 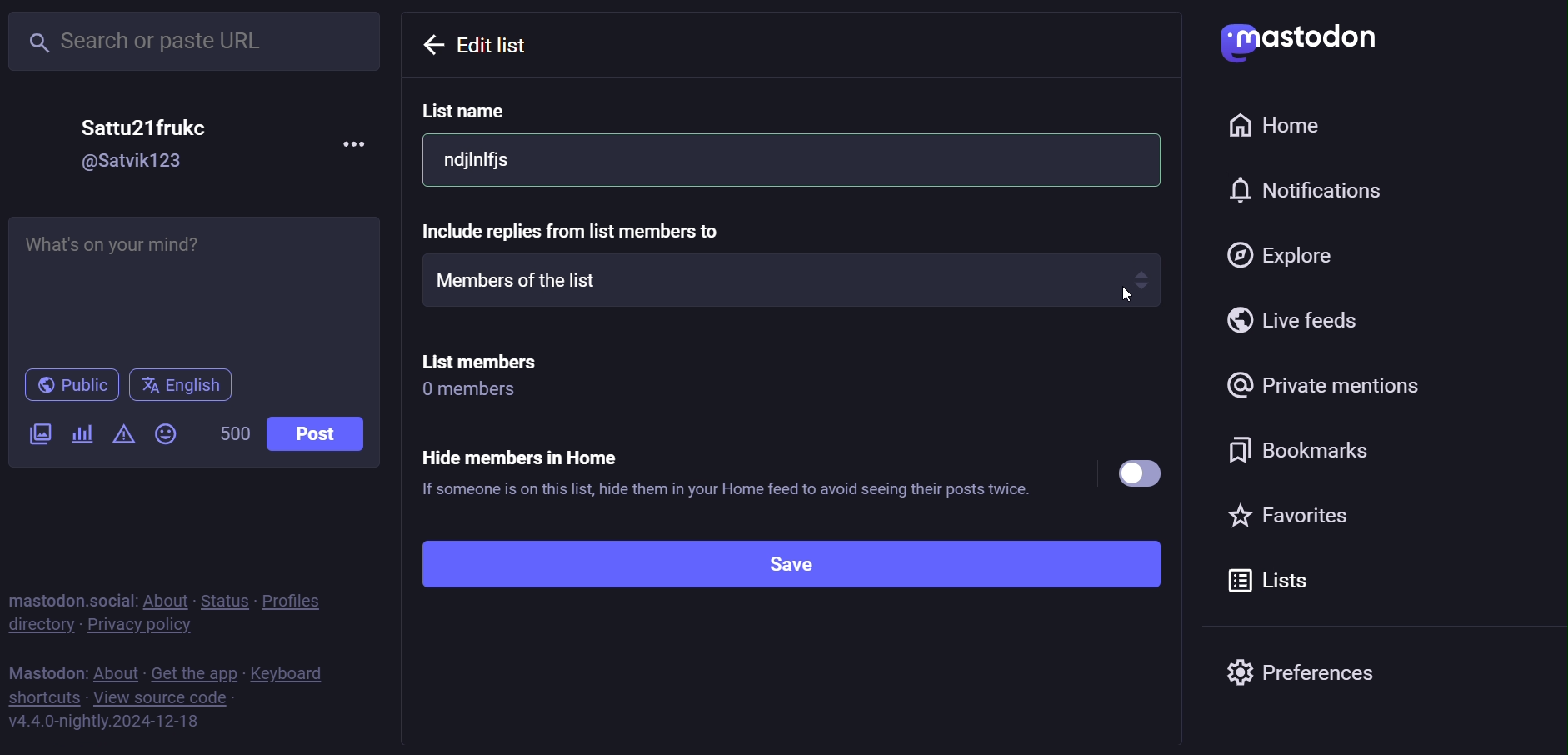 What do you see at coordinates (88, 434) in the screenshot?
I see `poll` at bounding box center [88, 434].